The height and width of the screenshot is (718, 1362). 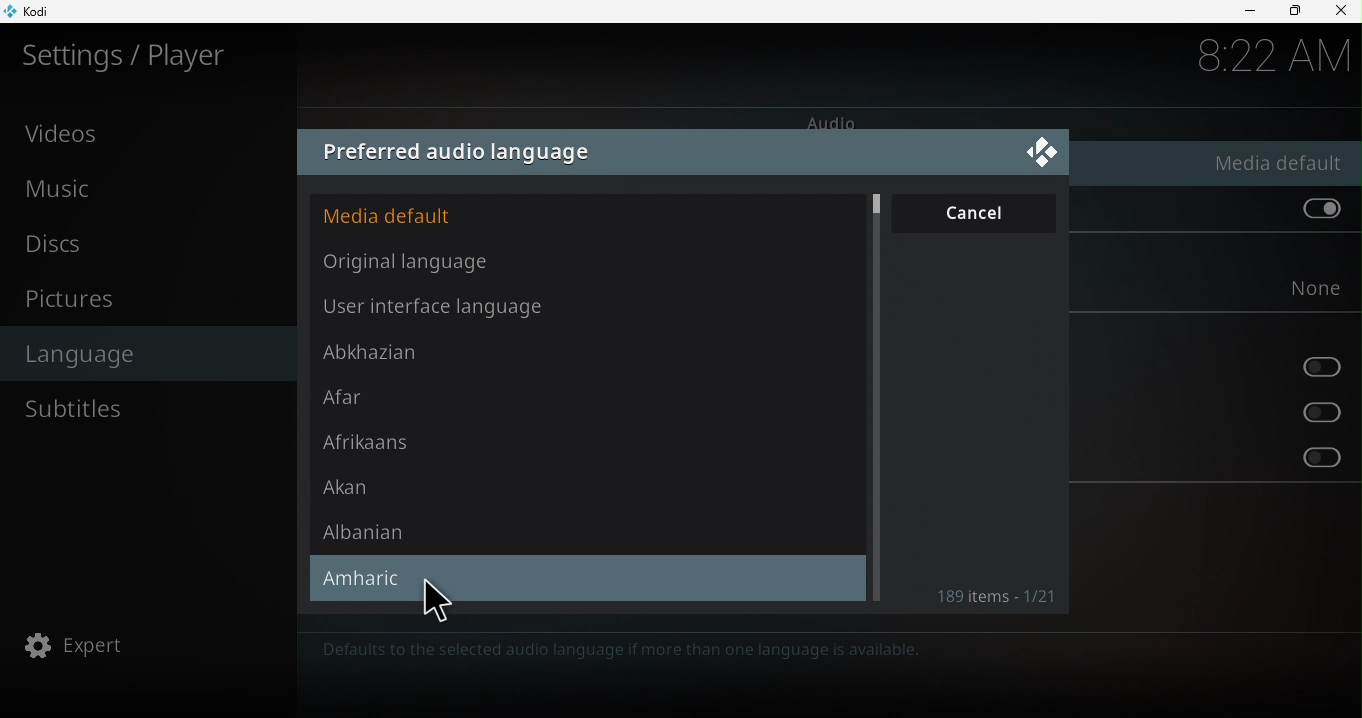 What do you see at coordinates (571, 261) in the screenshot?
I see `Original language` at bounding box center [571, 261].